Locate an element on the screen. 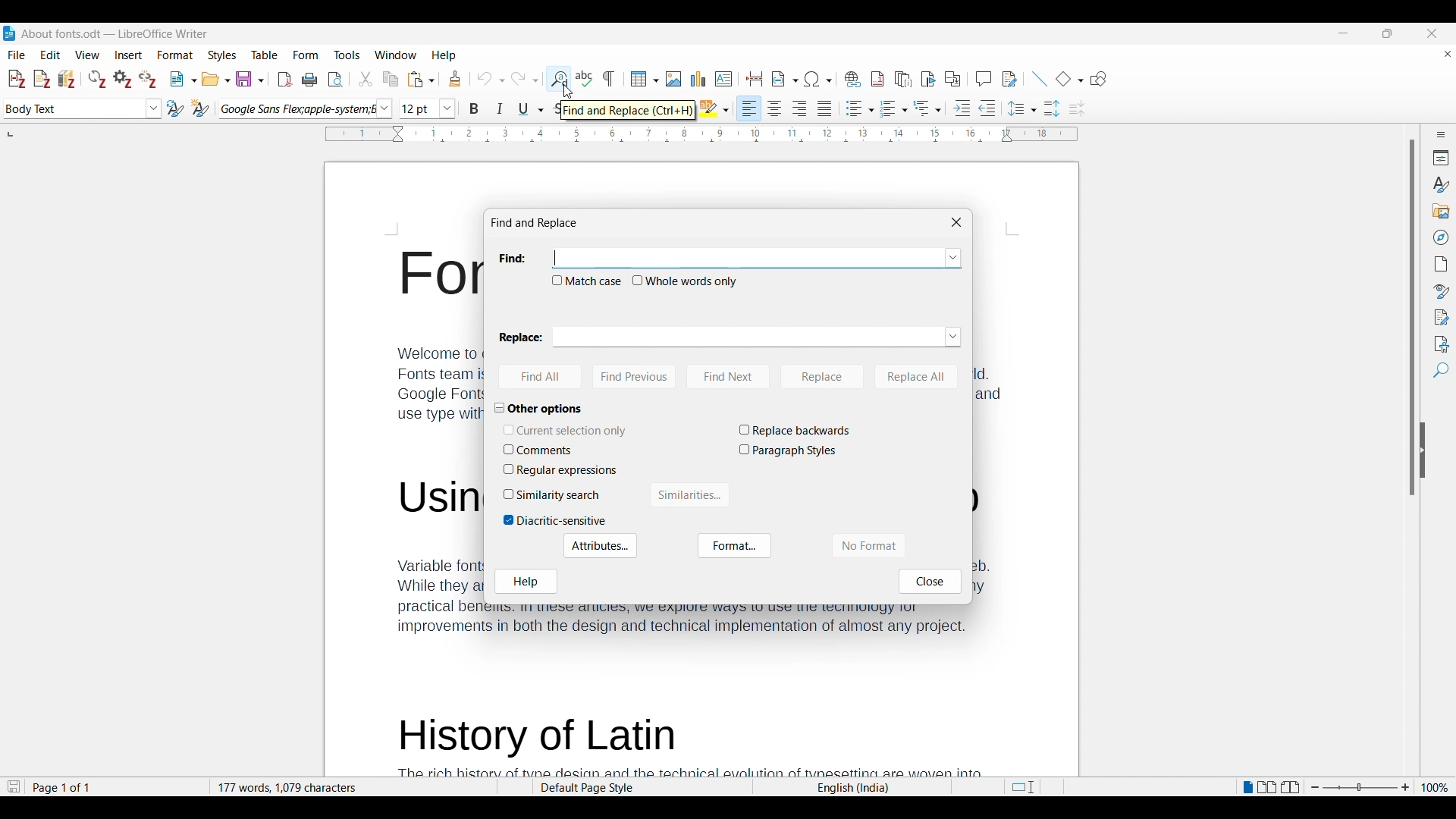 The width and height of the screenshot is (1456, 819). Gallery  is located at coordinates (1439, 211).